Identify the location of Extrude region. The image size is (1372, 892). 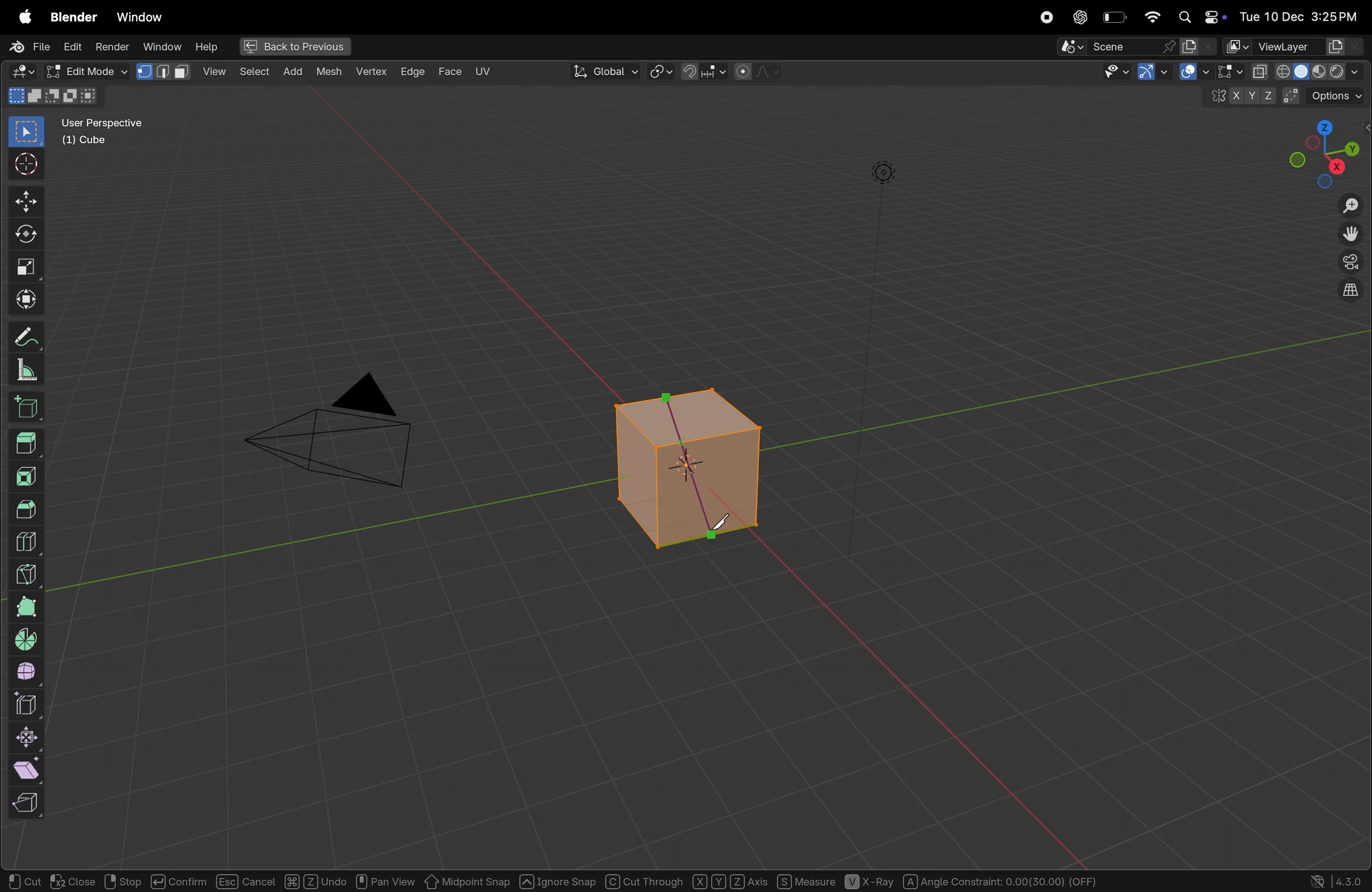
(27, 444).